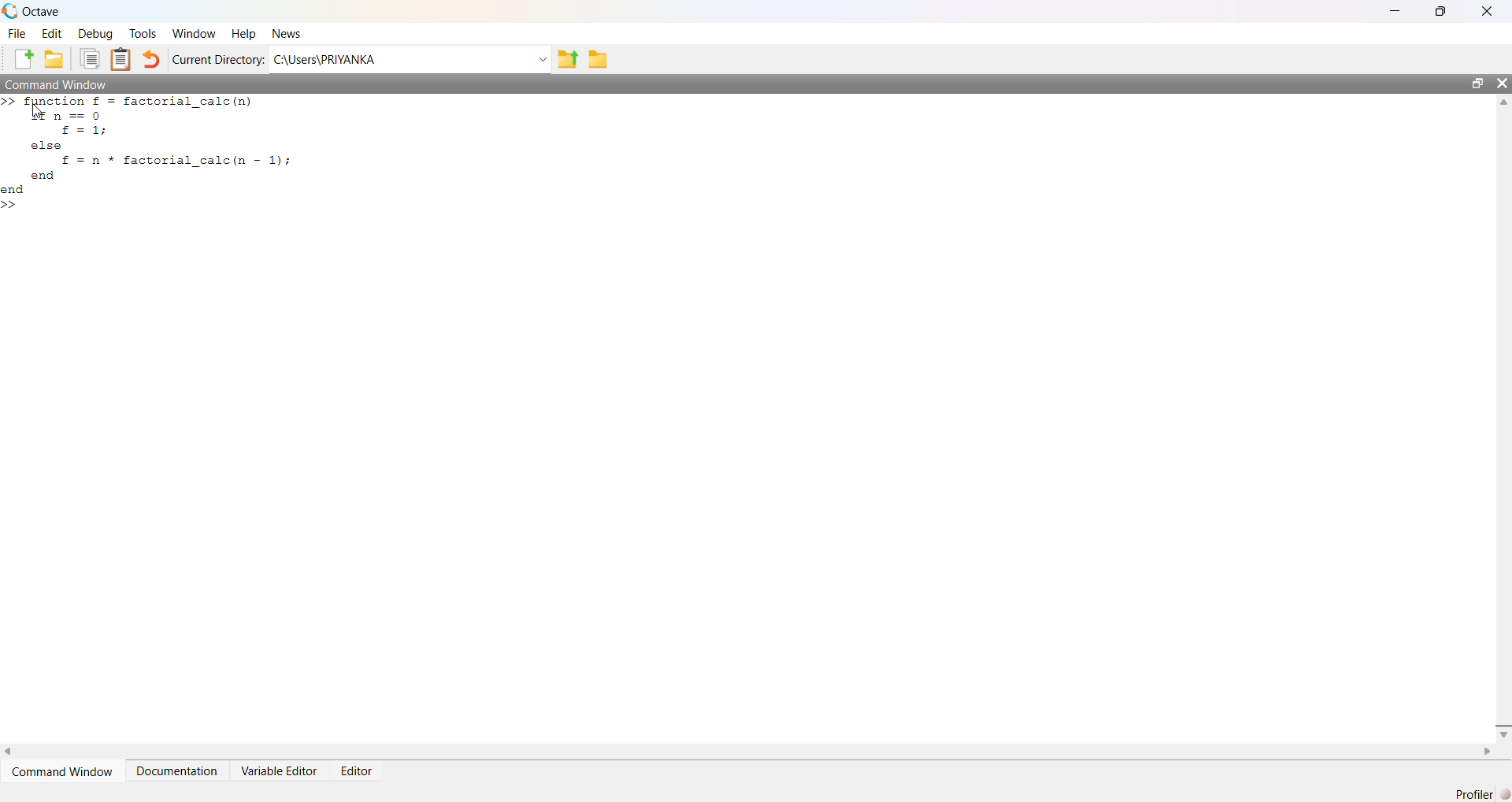  I want to click on clip board, so click(120, 58).